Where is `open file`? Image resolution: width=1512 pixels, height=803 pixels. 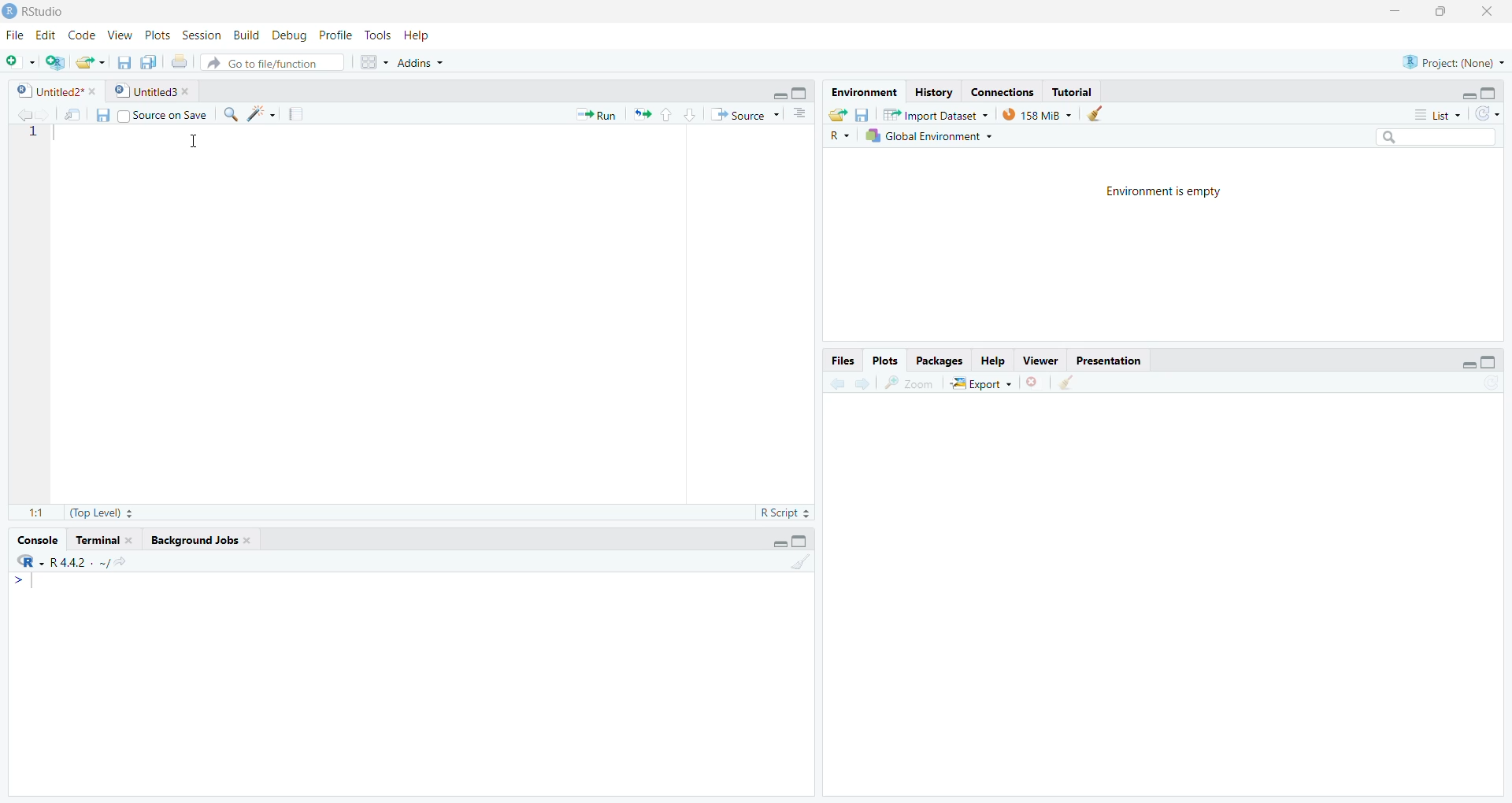
open file is located at coordinates (87, 61).